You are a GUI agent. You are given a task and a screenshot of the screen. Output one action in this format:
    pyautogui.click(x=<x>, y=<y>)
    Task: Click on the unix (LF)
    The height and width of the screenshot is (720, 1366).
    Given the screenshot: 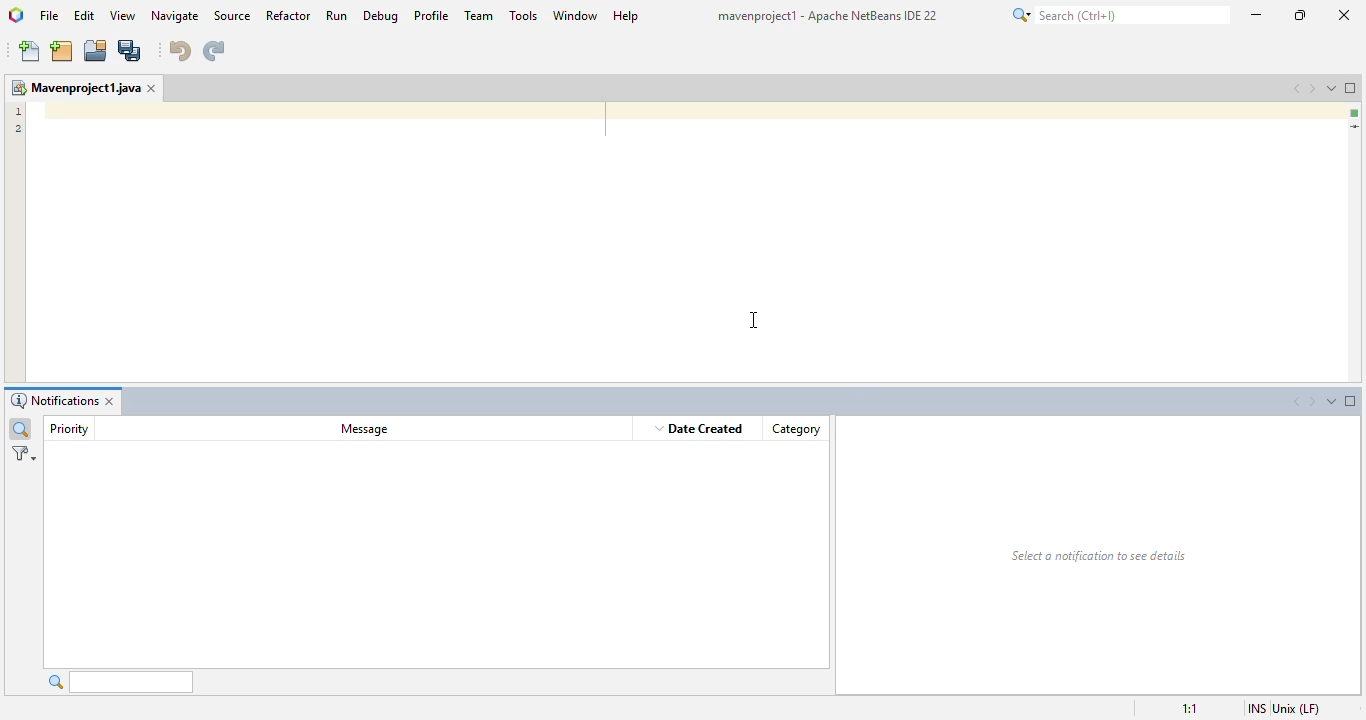 What is the action you would take?
    pyautogui.click(x=1299, y=707)
    